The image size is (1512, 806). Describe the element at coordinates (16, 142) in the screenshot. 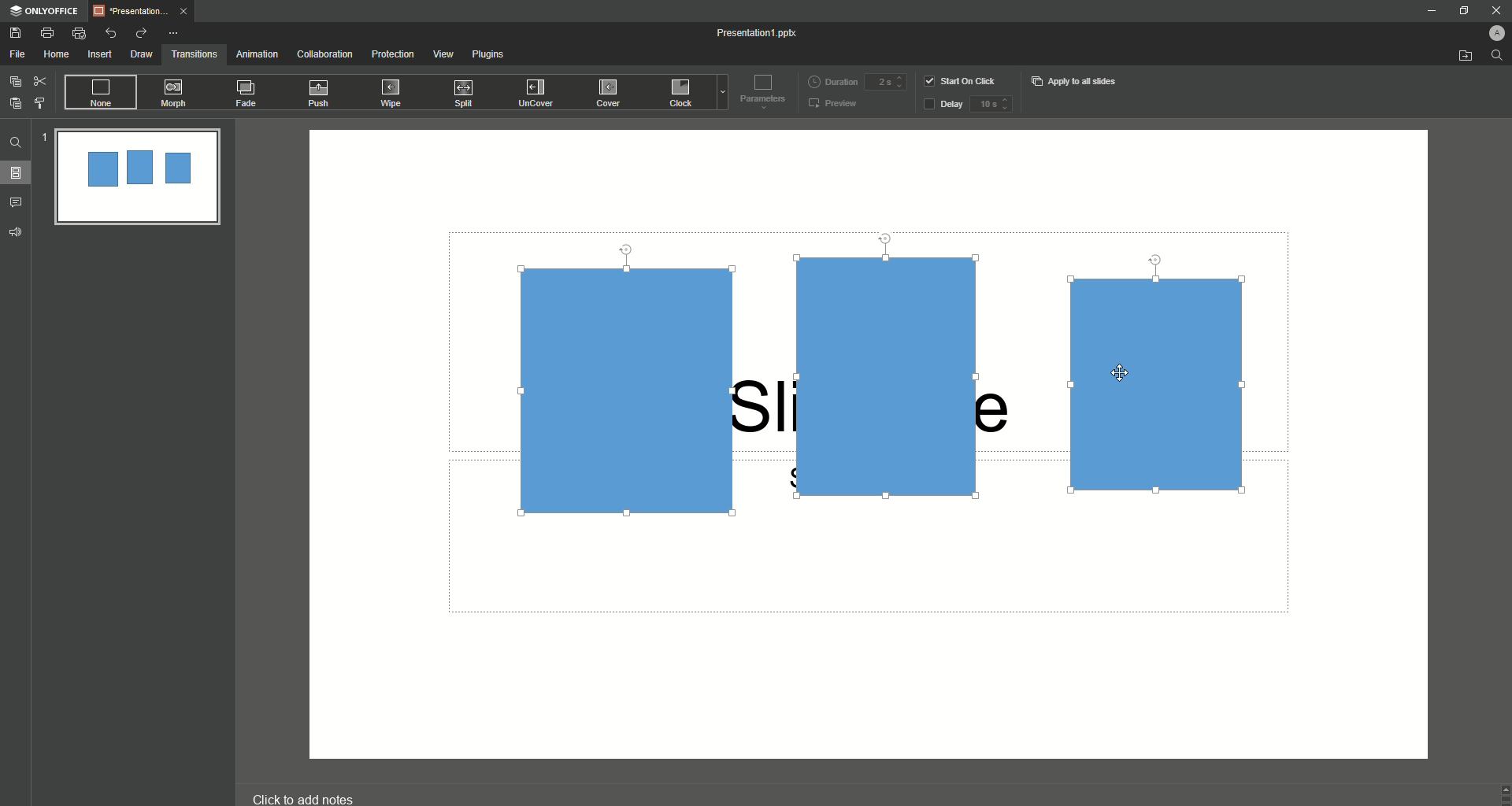

I see `Find` at that location.